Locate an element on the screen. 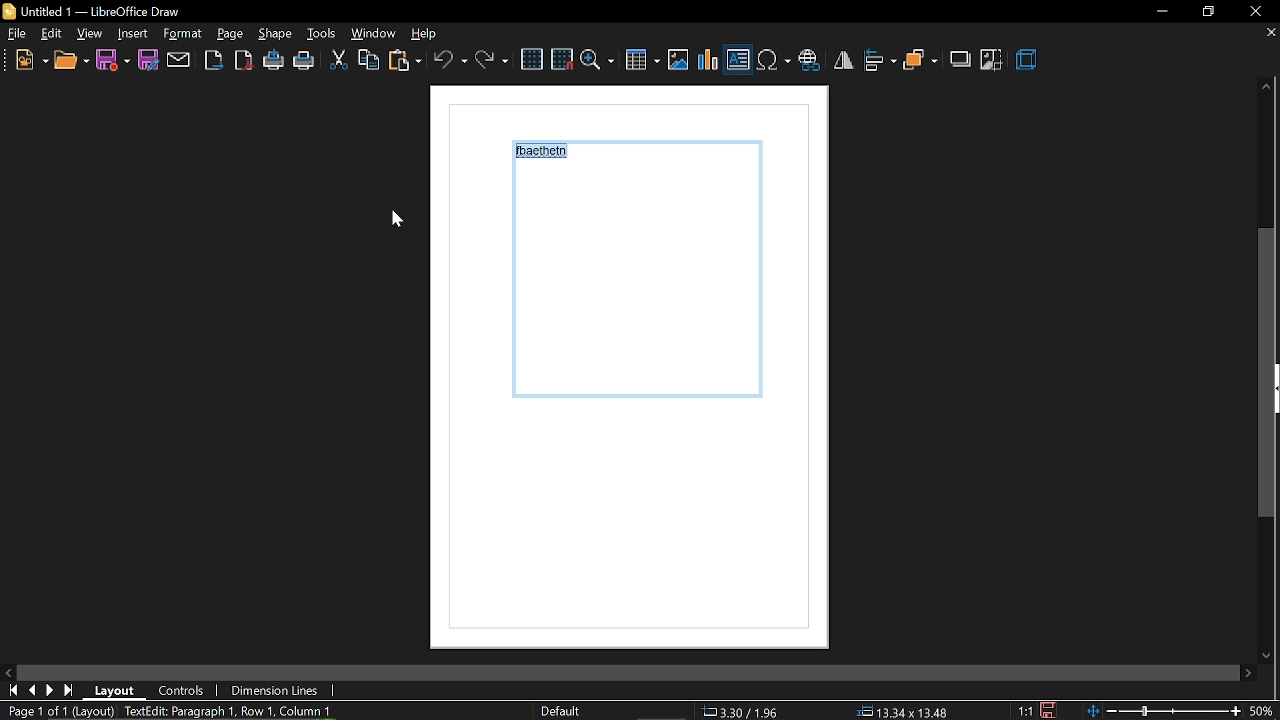  vertical scrollbar is located at coordinates (1267, 375).